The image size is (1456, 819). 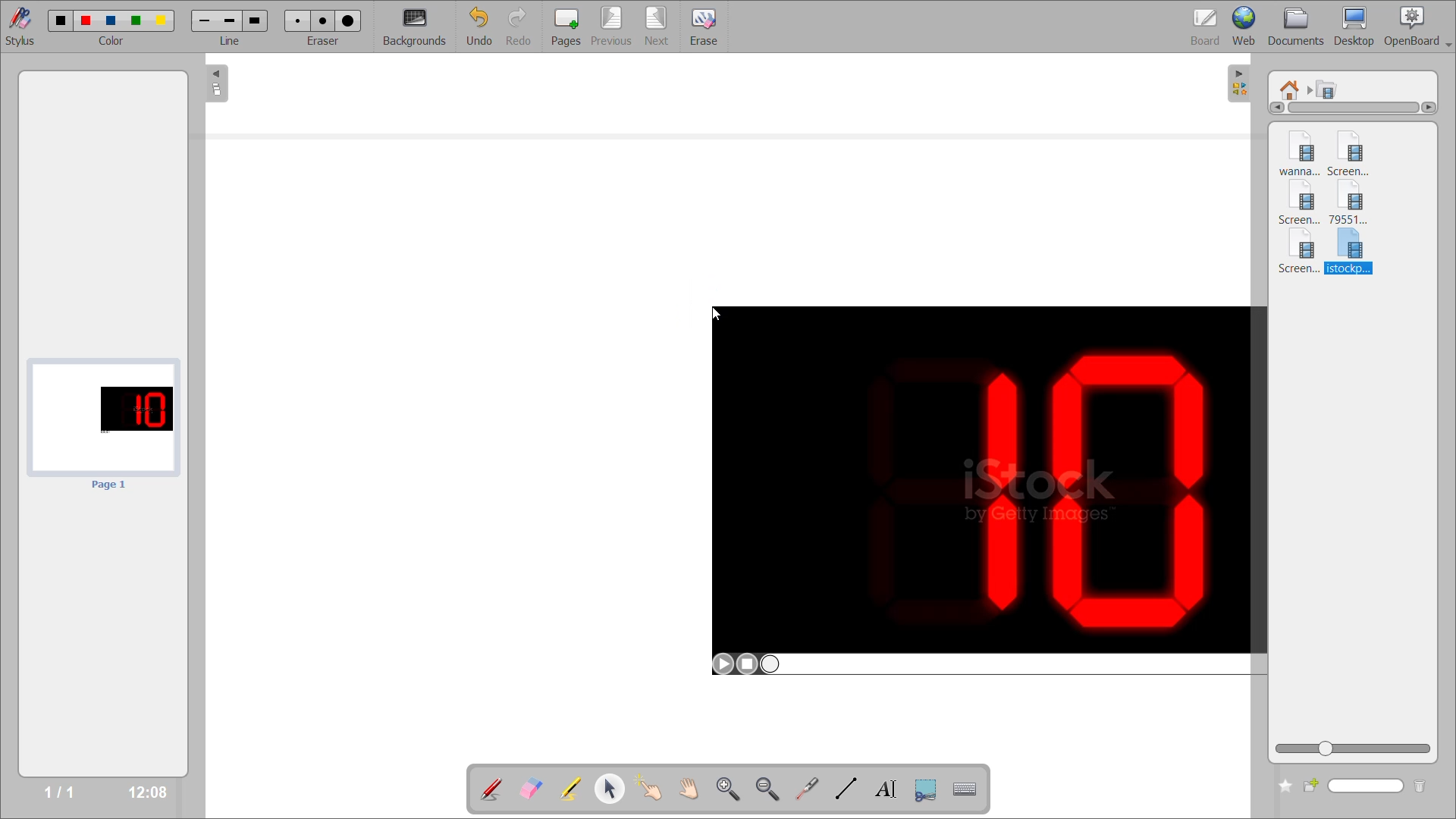 What do you see at coordinates (114, 42) in the screenshot?
I see `color ` at bounding box center [114, 42].